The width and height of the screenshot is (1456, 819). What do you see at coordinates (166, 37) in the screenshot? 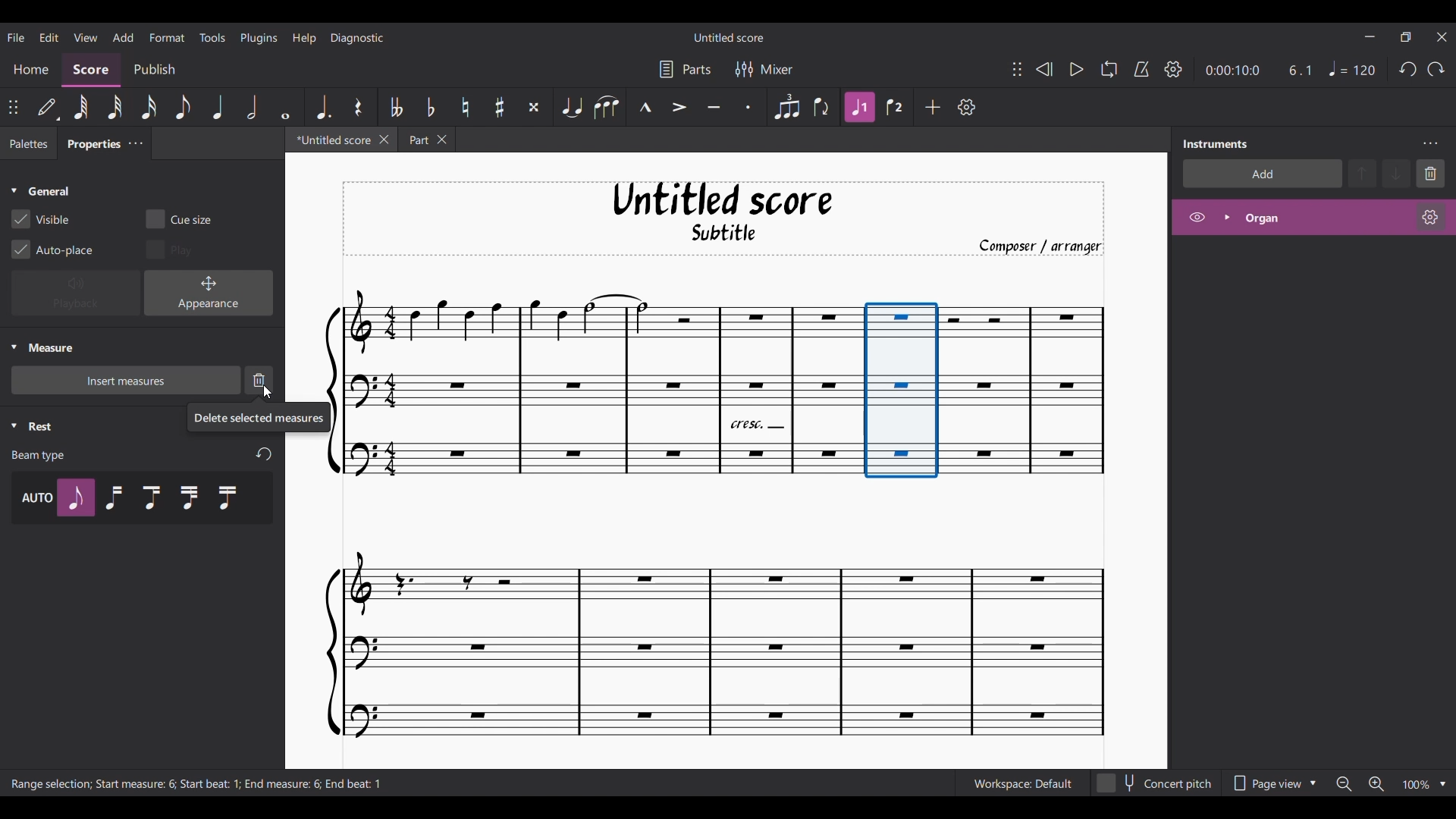
I see `Format menu` at bounding box center [166, 37].